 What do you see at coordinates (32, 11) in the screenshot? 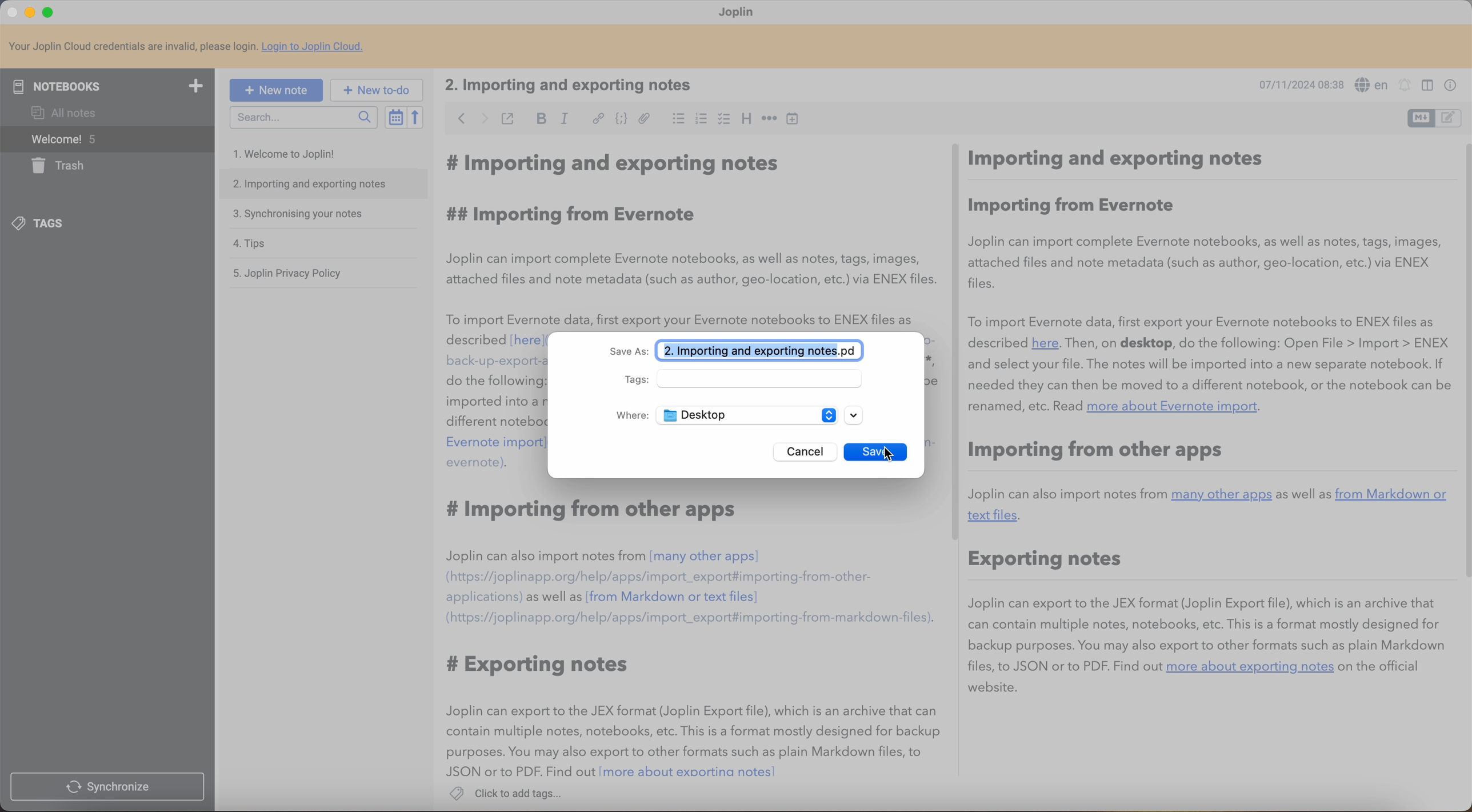
I see `minimize` at bounding box center [32, 11].